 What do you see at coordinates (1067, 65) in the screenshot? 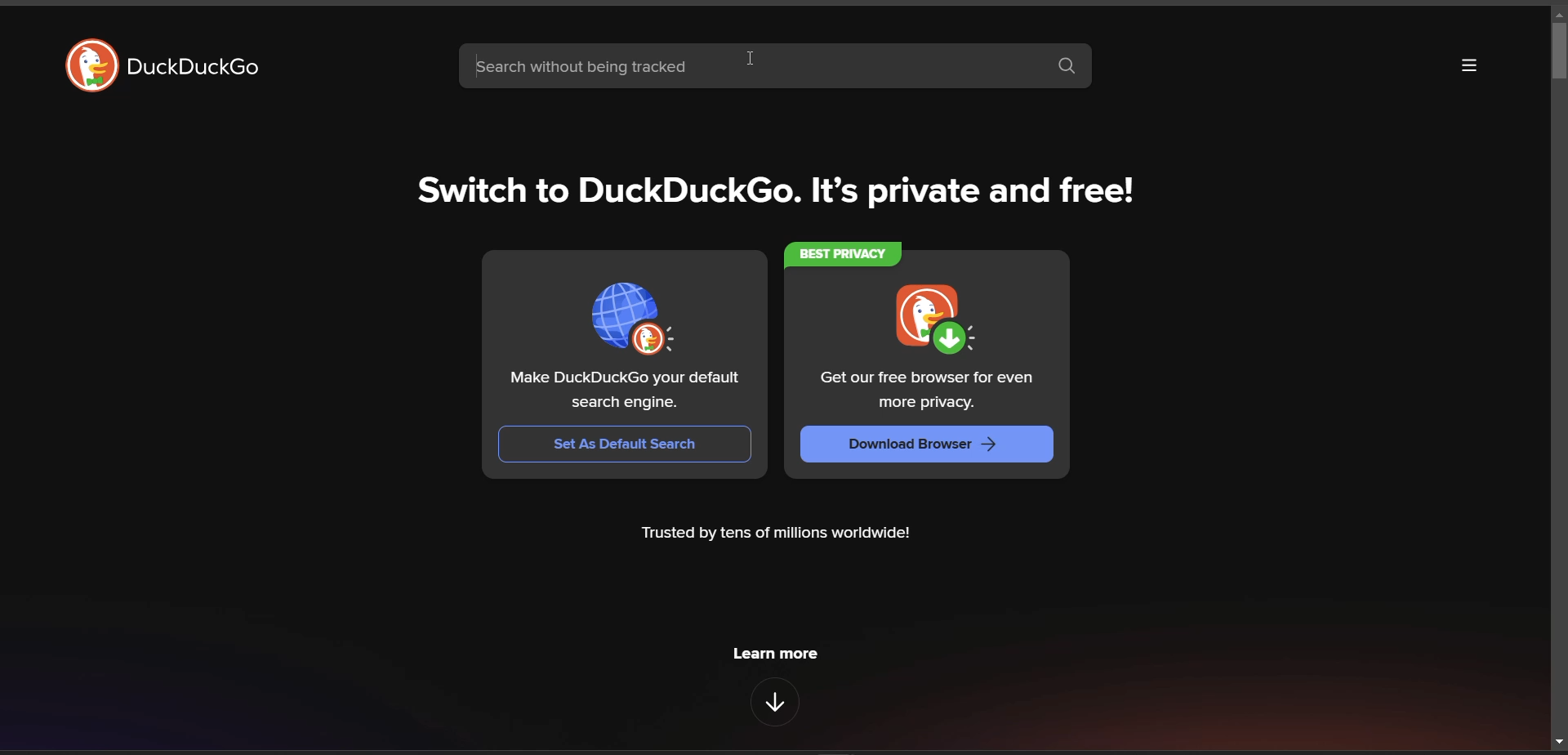
I see `search button` at bounding box center [1067, 65].